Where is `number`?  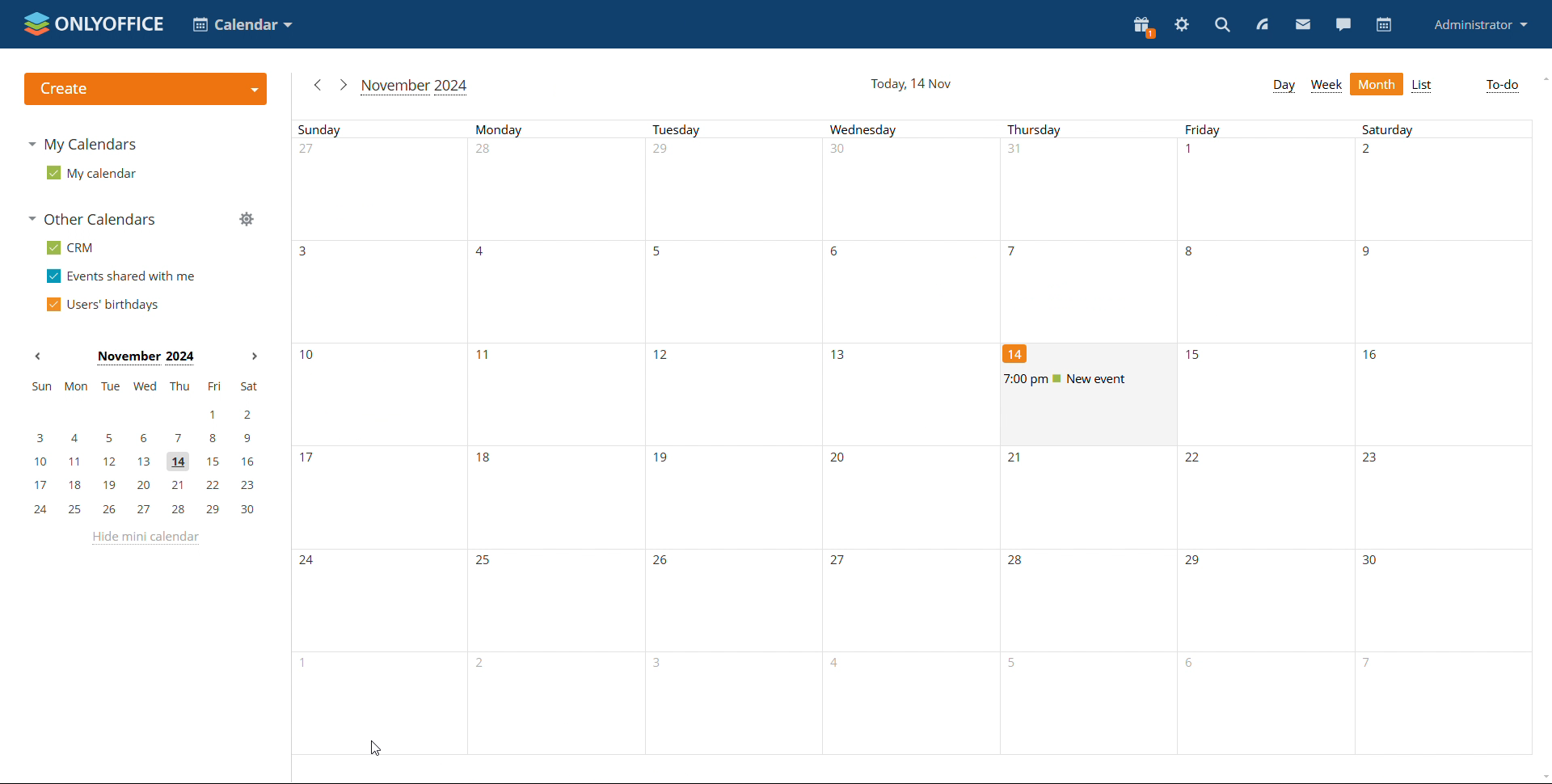 number is located at coordinates (840, 665).